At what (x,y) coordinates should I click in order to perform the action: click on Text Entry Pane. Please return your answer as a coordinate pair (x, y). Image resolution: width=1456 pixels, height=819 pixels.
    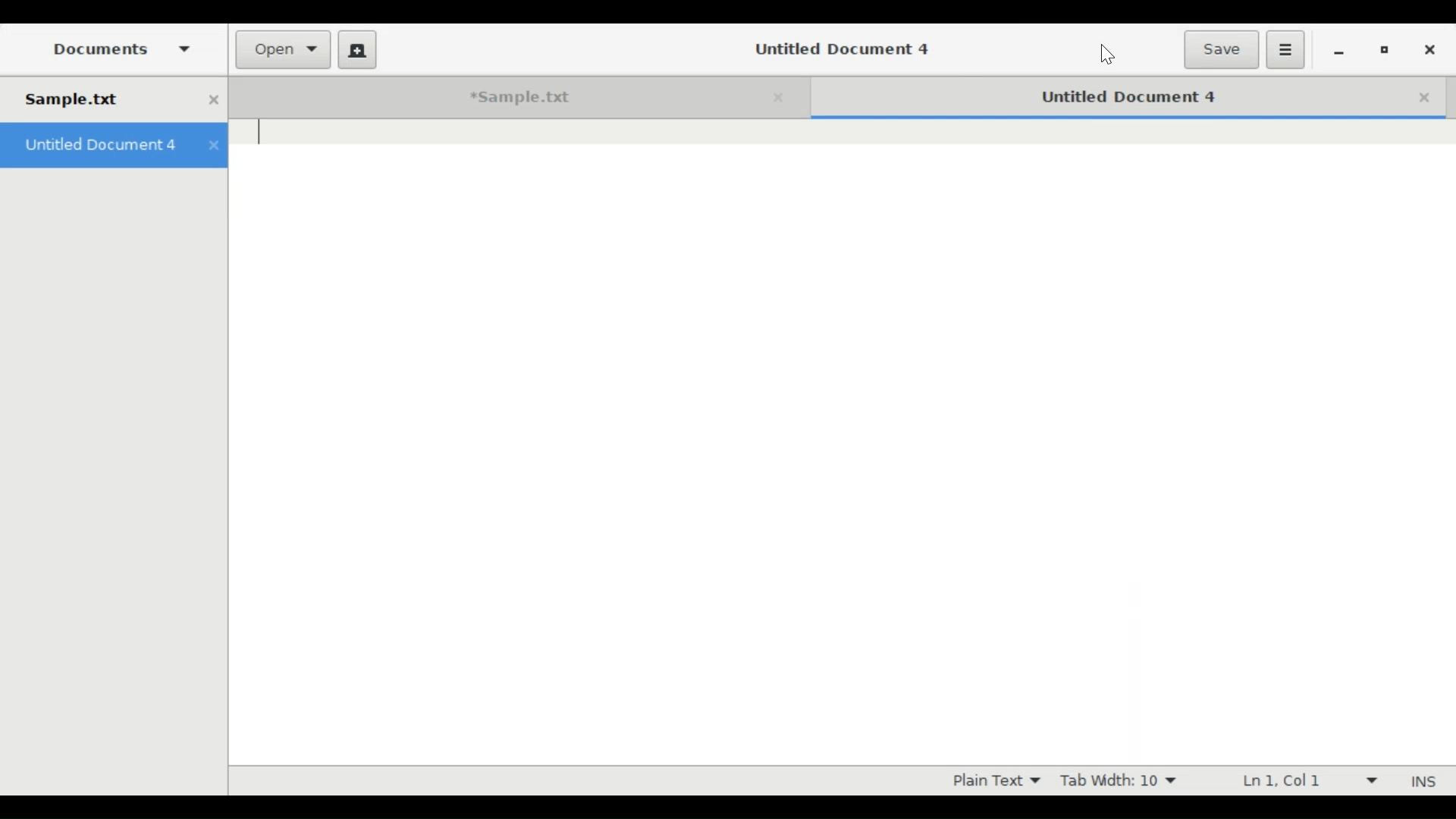
    Looking at the image, I should click on (843, 439).